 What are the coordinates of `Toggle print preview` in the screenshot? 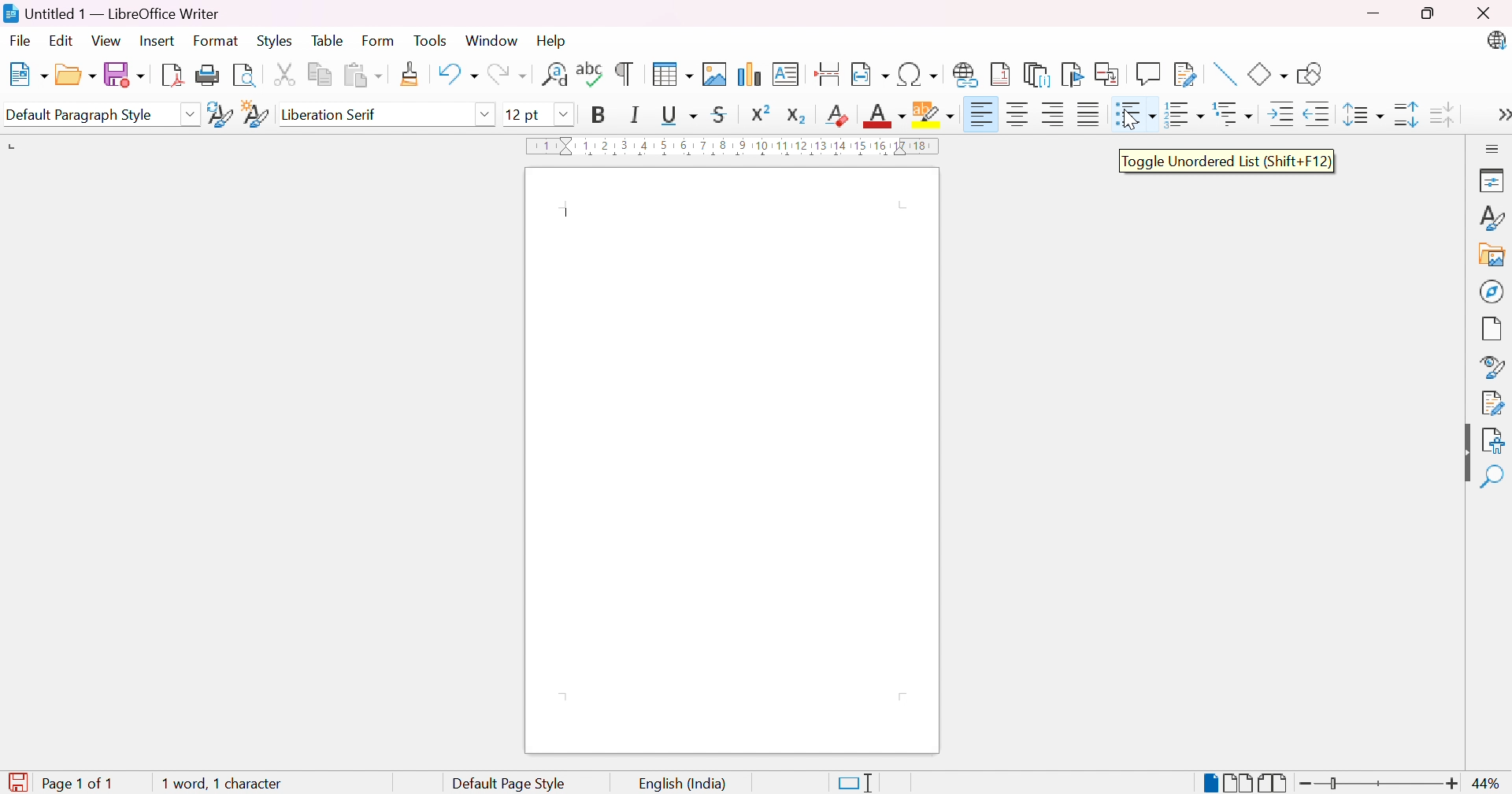 It's located at (249, 76).